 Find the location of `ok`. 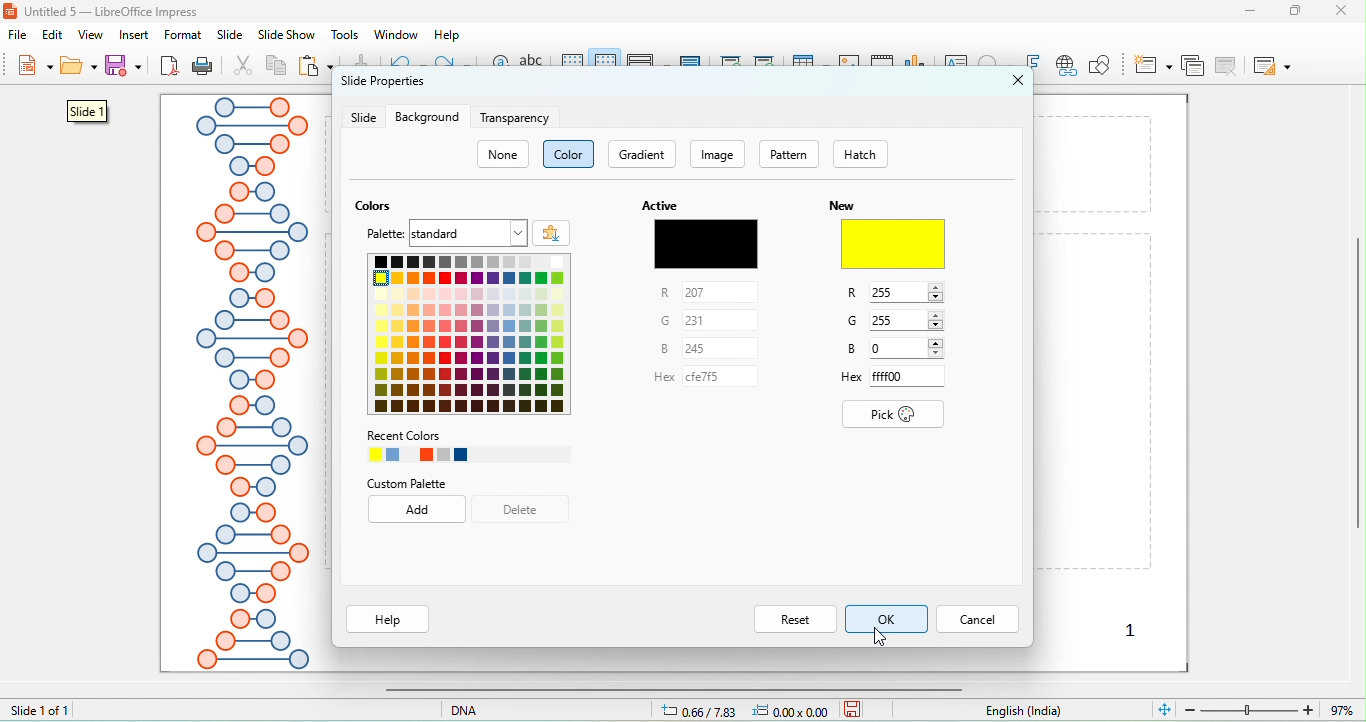

ok is located at coordinates (888, 616).